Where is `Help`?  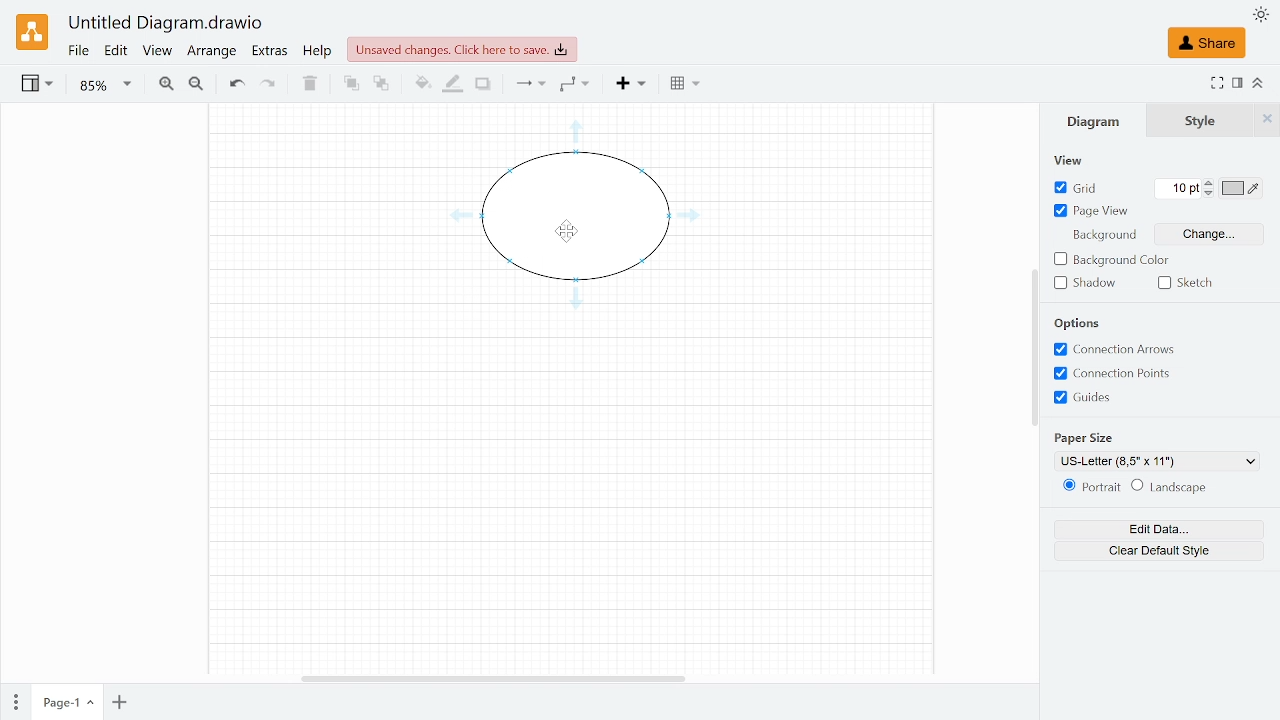
Help is located at coordinates (318, 52).